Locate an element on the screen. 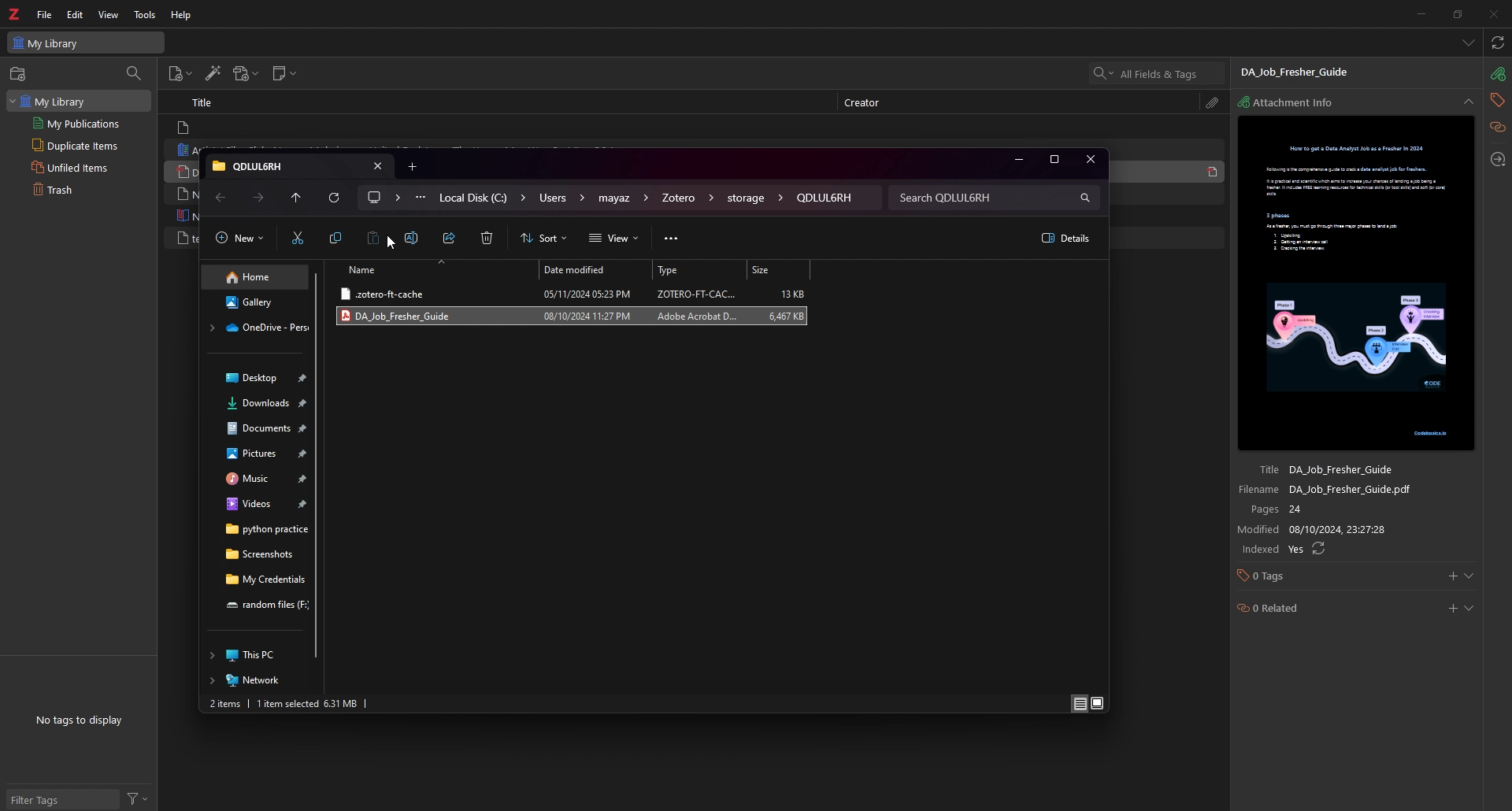 The image size is (1512, 811). add attachments is located at coordinates (246, 73).